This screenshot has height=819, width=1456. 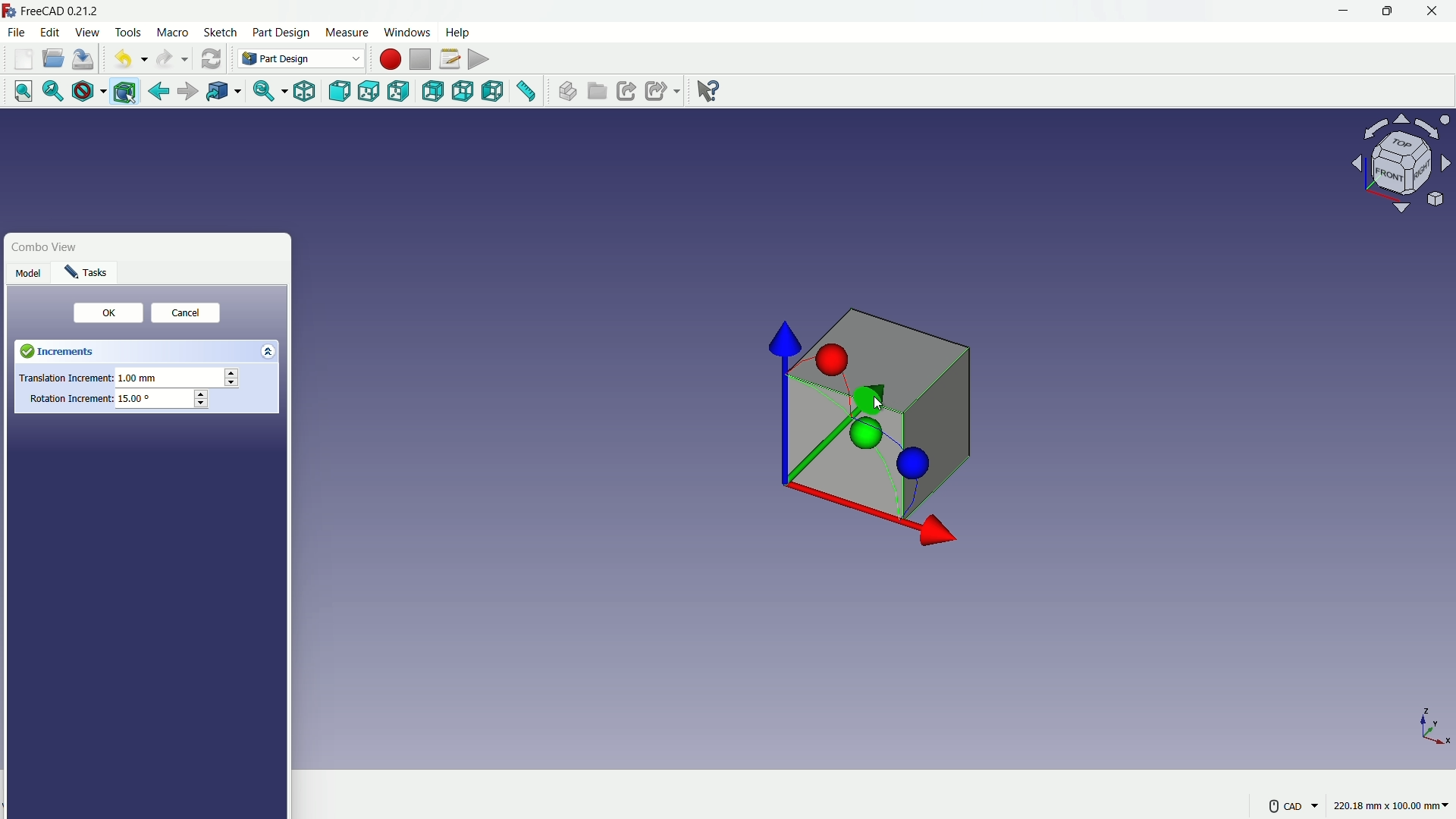 I want to click on undo, so click(x=127, y=60).